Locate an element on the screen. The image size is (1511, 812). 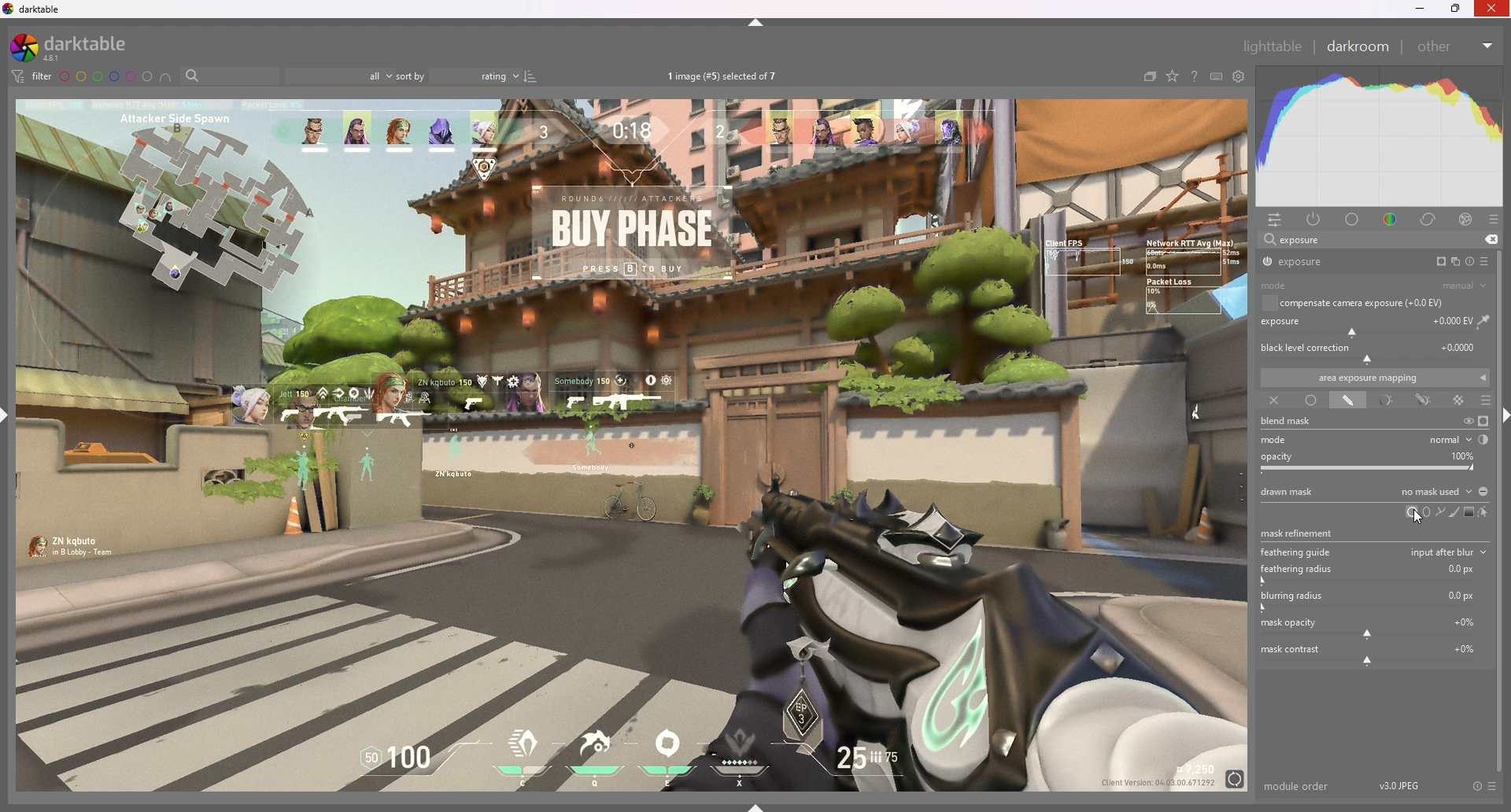
exposure is located at coordinates (1376, 324).